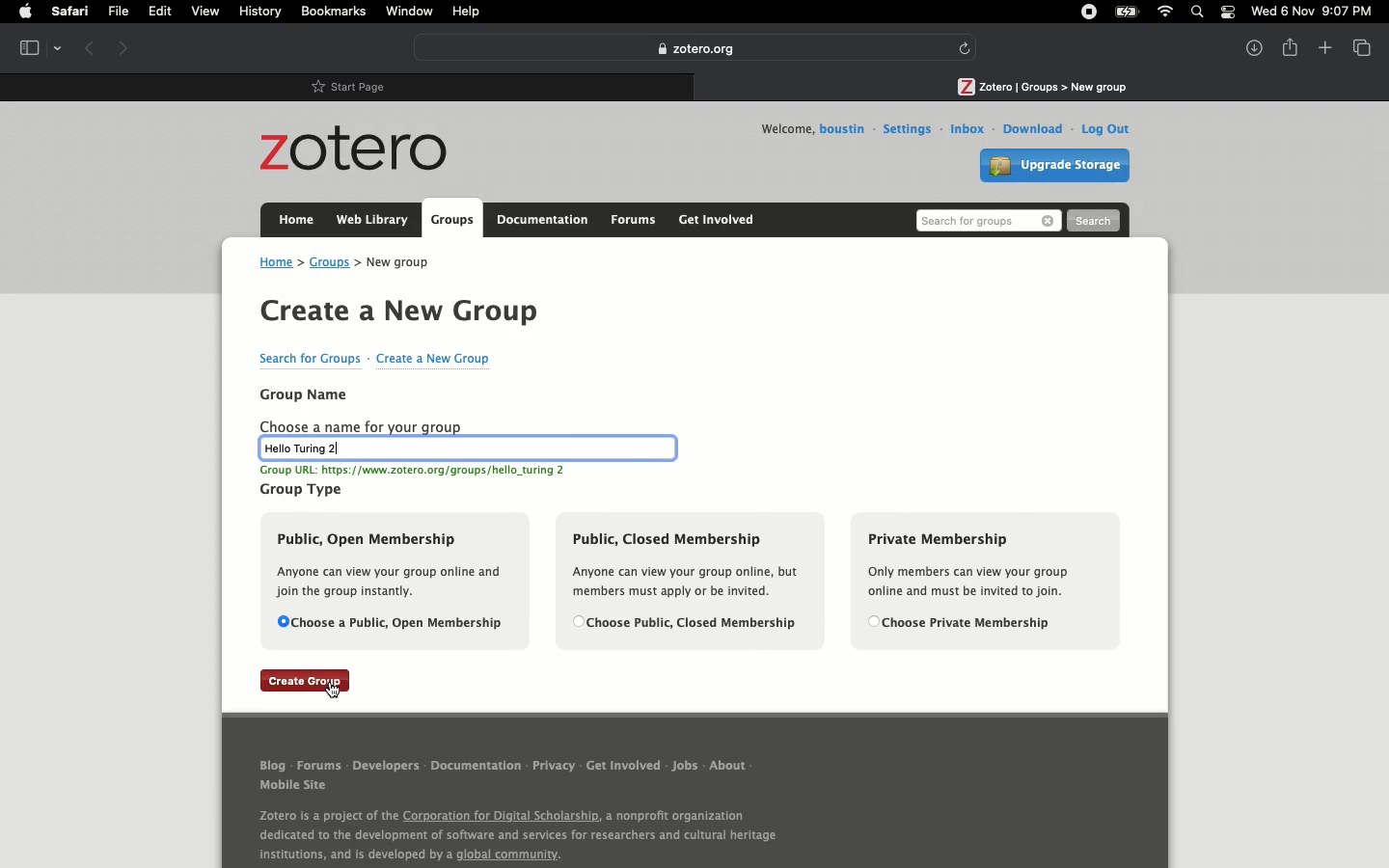 This screenshot has width=1389, height=868. I want to click on Cursor, so click(333, 691).